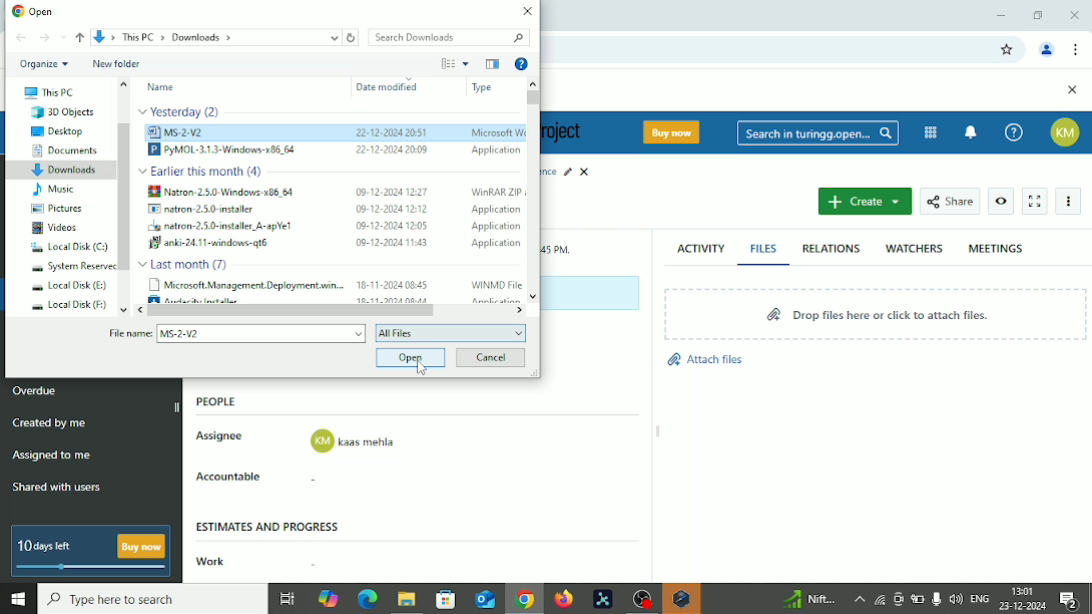 This screenshot has width=1092, height=614. I want to click on show current locations, so click(333, 37).